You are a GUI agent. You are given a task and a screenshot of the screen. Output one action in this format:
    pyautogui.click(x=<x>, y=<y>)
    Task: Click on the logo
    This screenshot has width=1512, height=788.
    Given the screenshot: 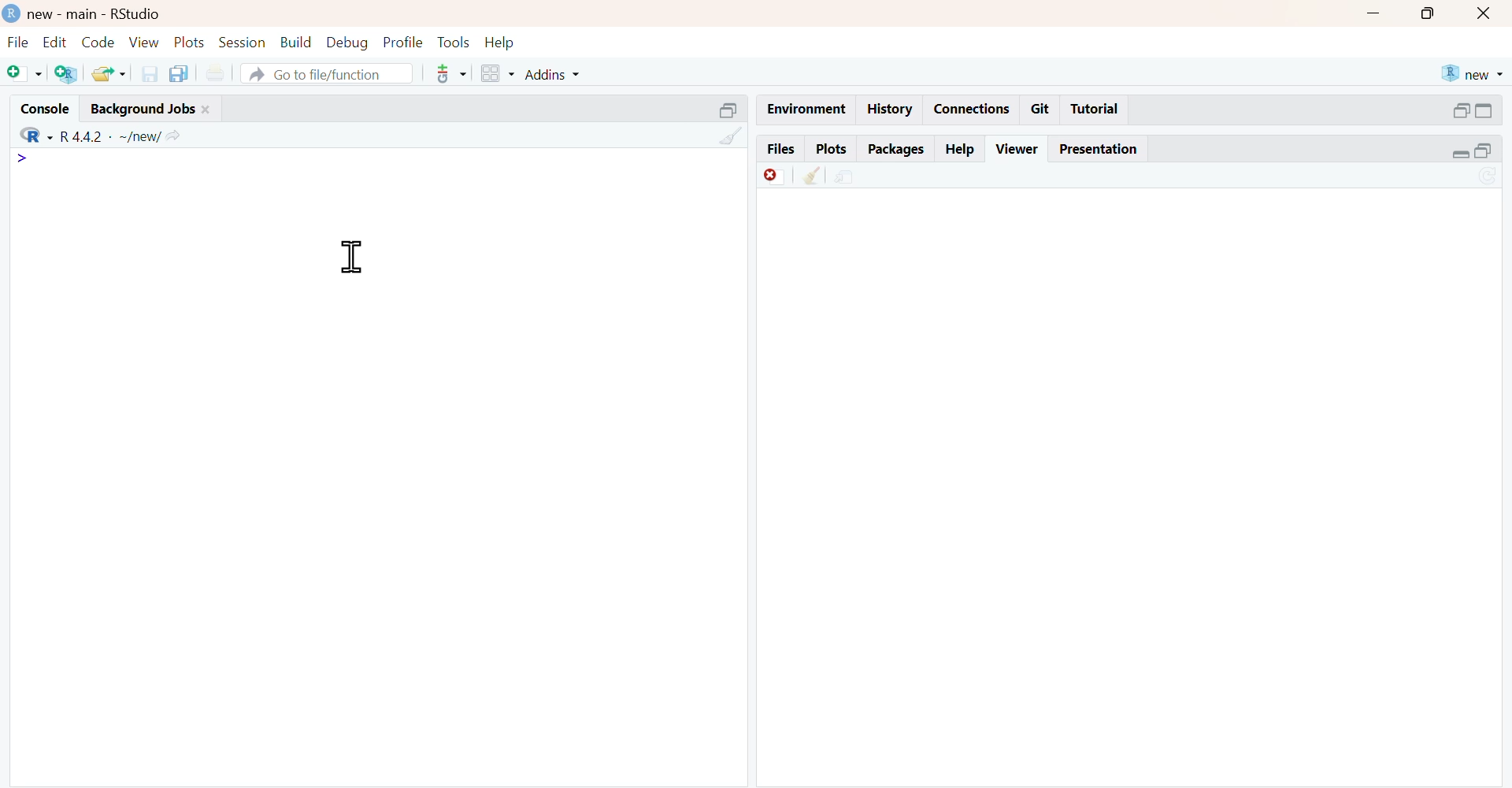 What is the action you would take?
    pyautogui.click(x=13, y=13)
    